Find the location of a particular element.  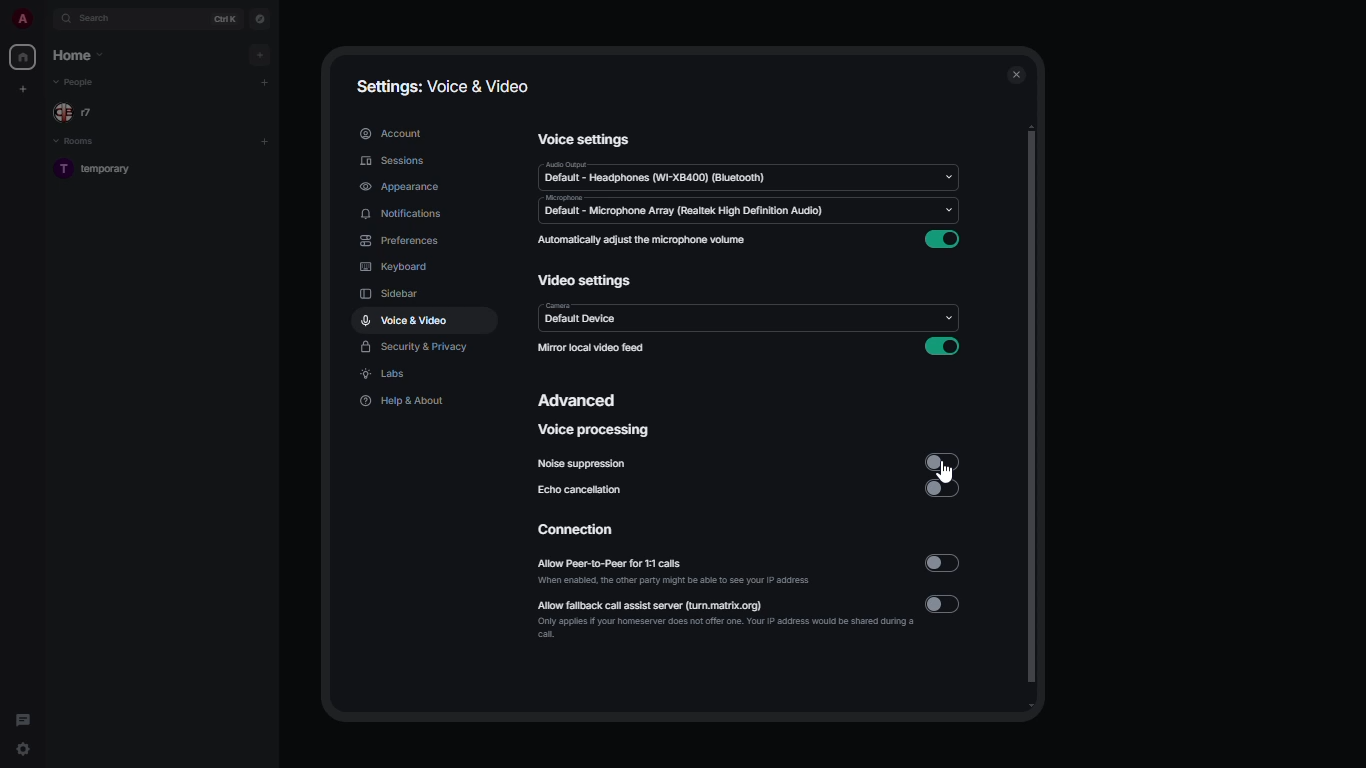

mirror local video feed is located at coordinates (594, 348).